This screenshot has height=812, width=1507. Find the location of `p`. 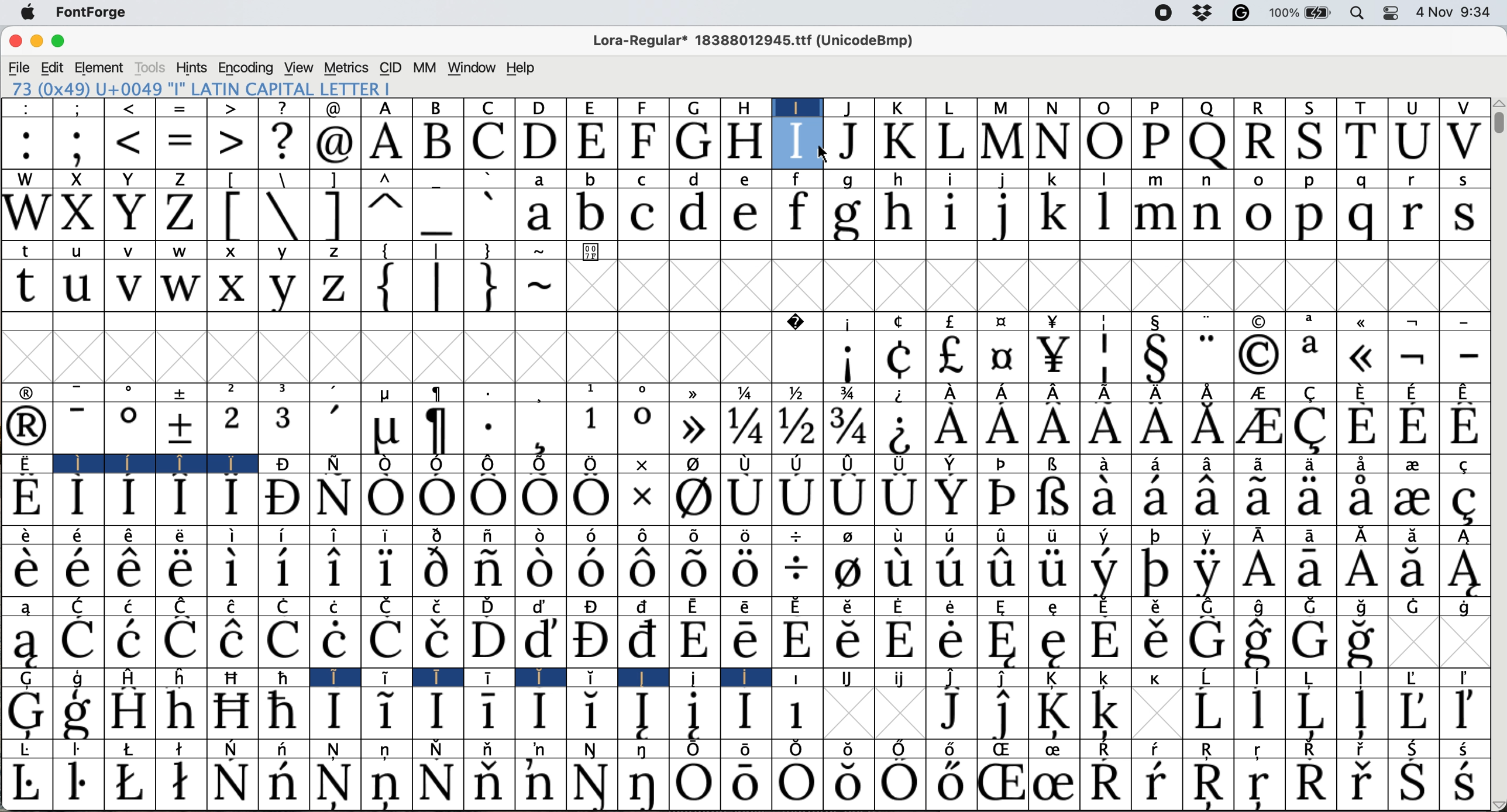

p is located at coordinates (1309, 216).